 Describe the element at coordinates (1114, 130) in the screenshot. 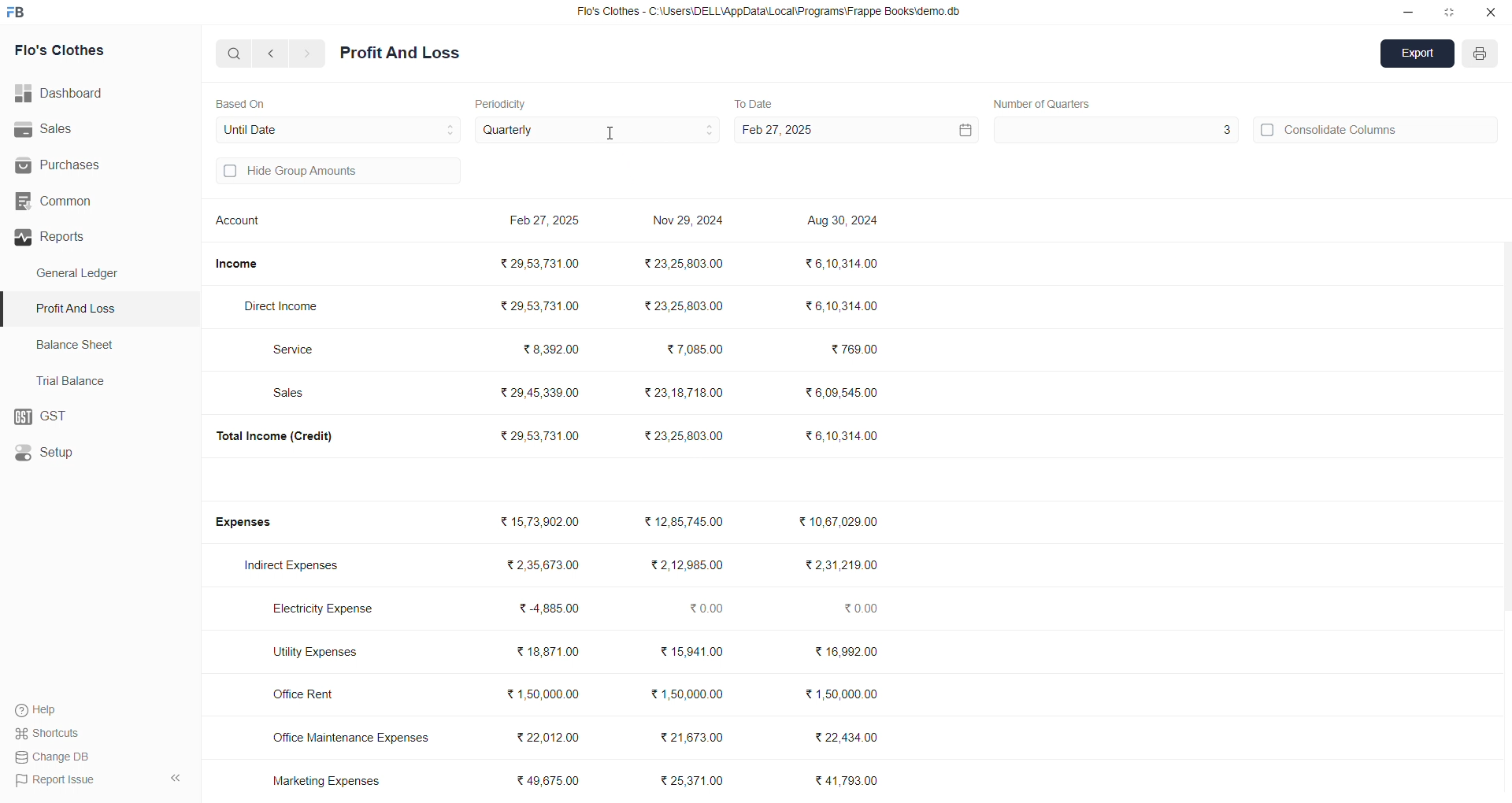

I see `3` at that location.